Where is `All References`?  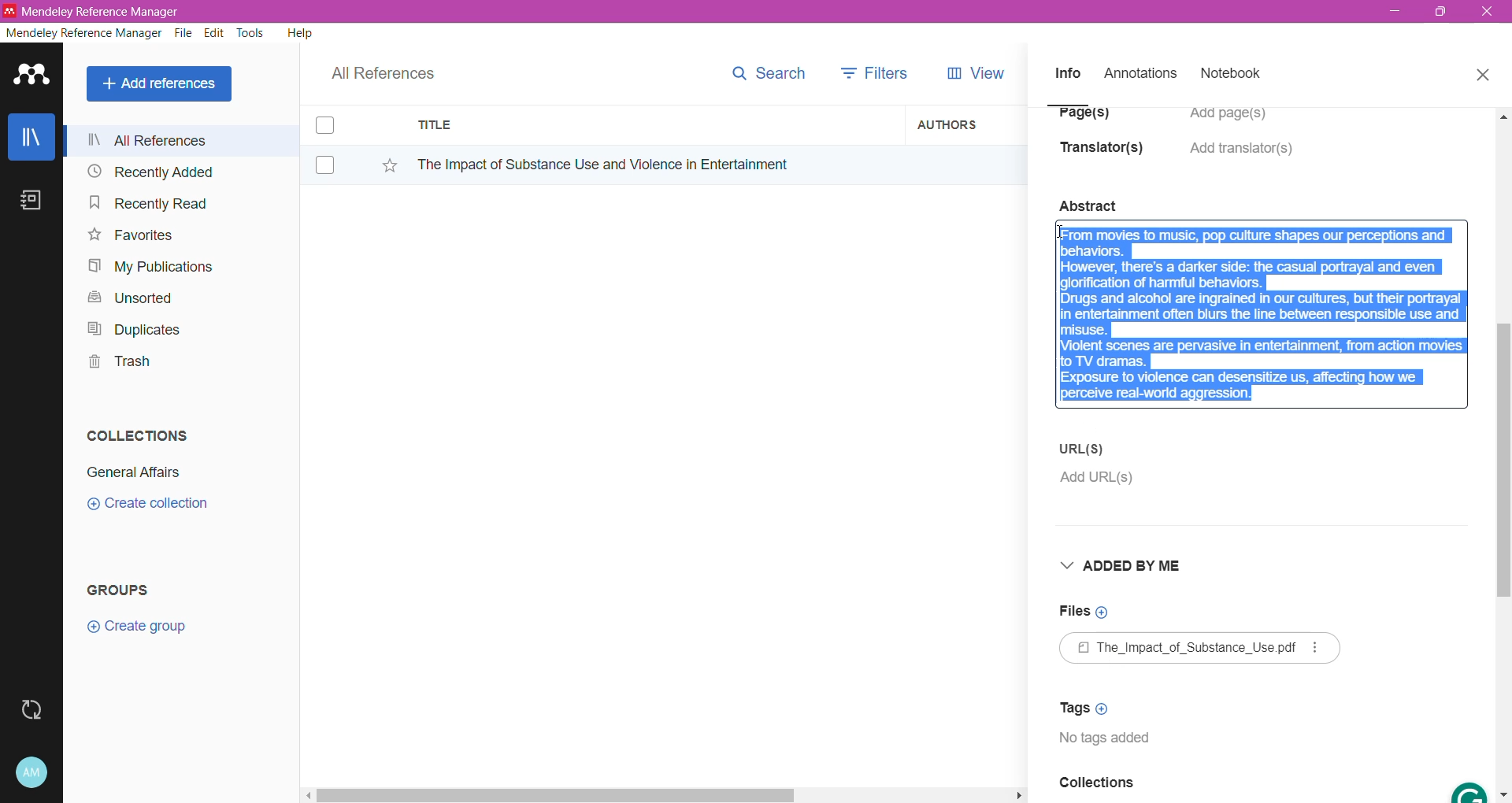 All References is located at coordinates (394, 69).